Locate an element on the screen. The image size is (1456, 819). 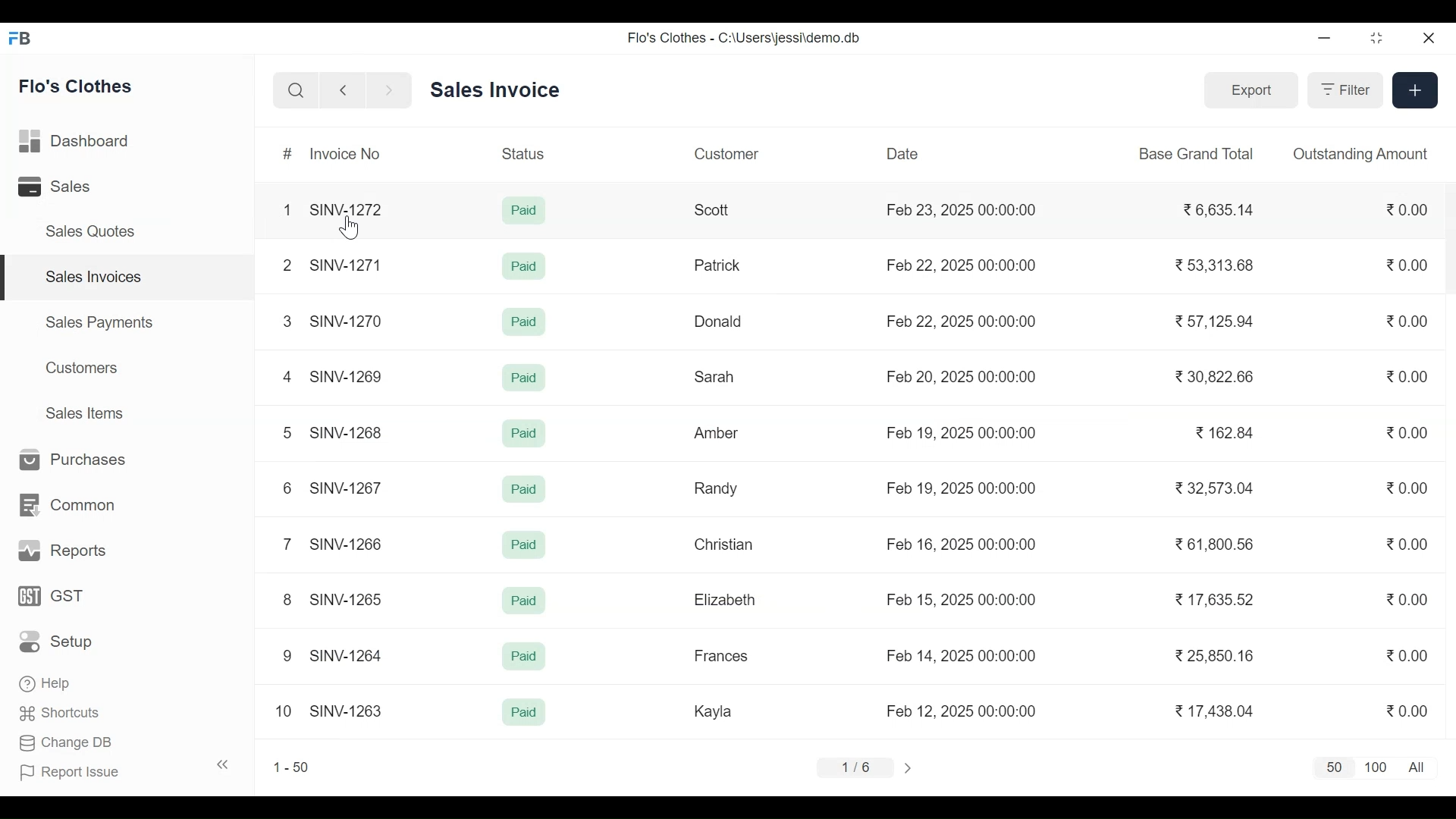
Customers is located at coordinates (82, 369).